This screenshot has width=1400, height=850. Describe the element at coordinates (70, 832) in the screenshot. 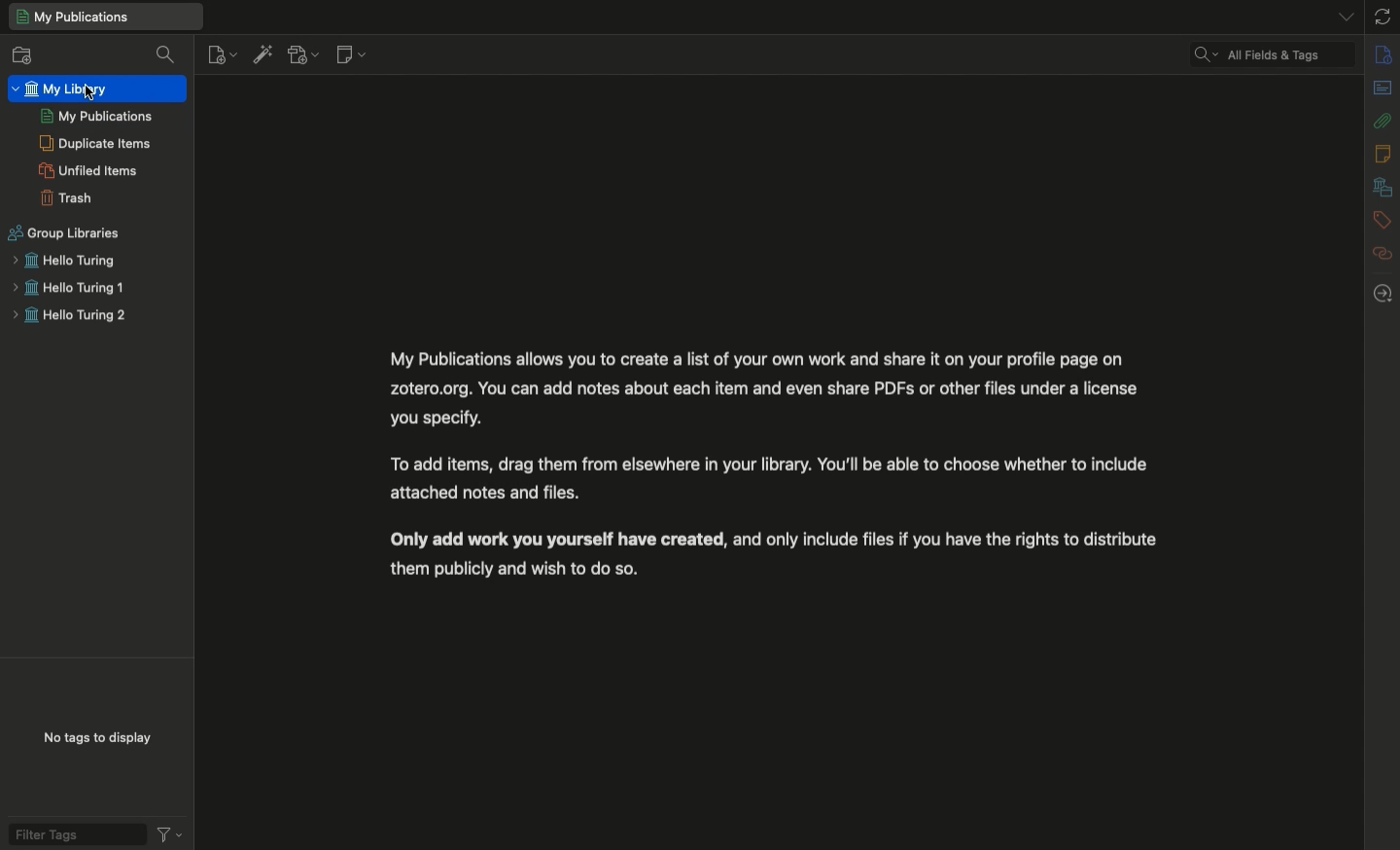

I see `Filter tags` at that location.